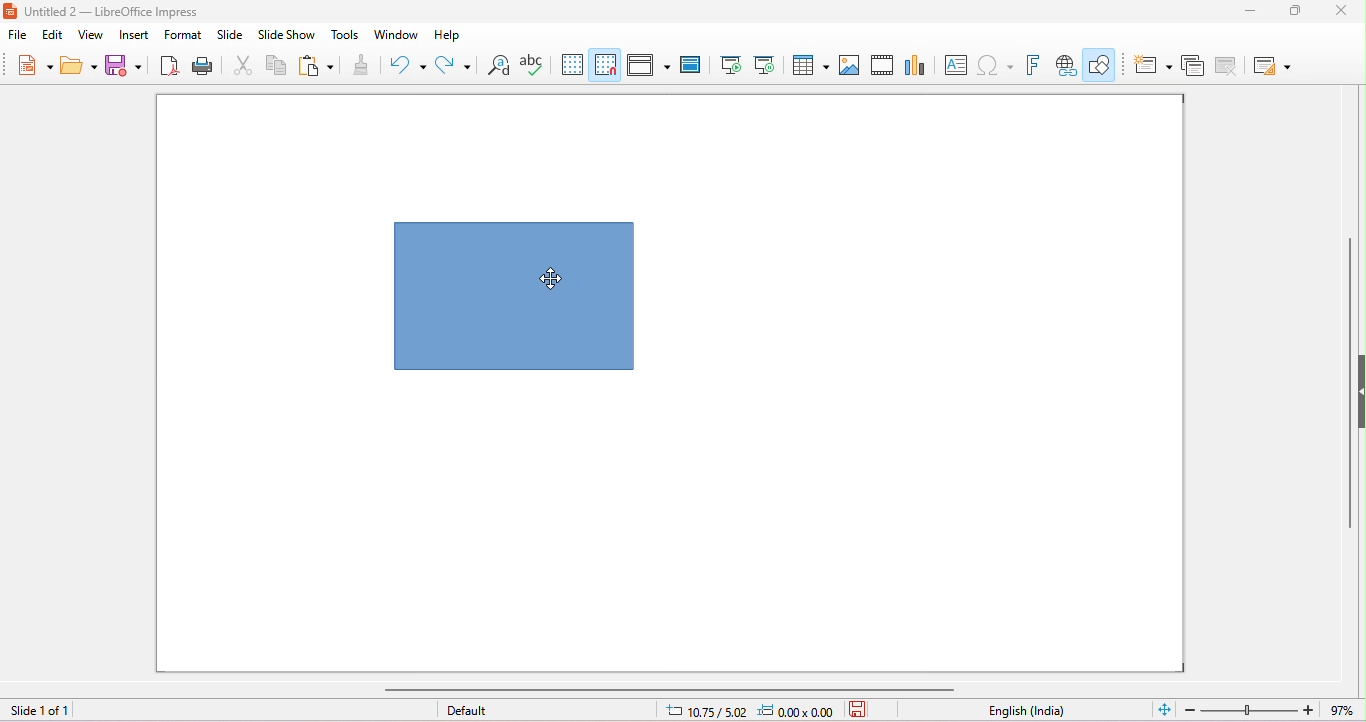 The height and width of the screenshot is (722, 1366). What do you see at coordinates (606, 64) in the screenshot?
I see `snap to grid` at bounding box center [606, 64].